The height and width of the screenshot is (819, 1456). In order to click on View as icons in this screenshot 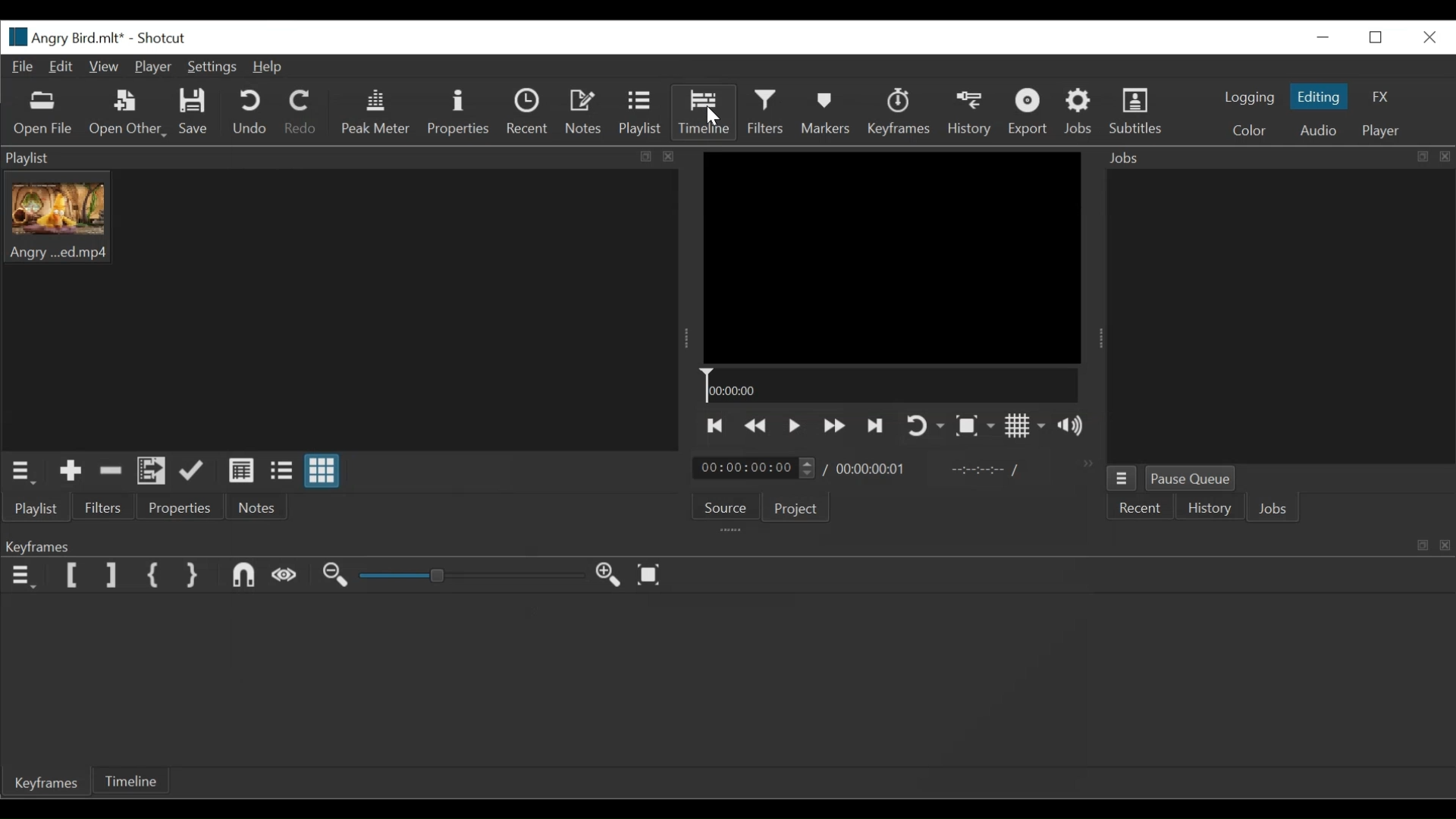, I will do `click(322, 472)`.